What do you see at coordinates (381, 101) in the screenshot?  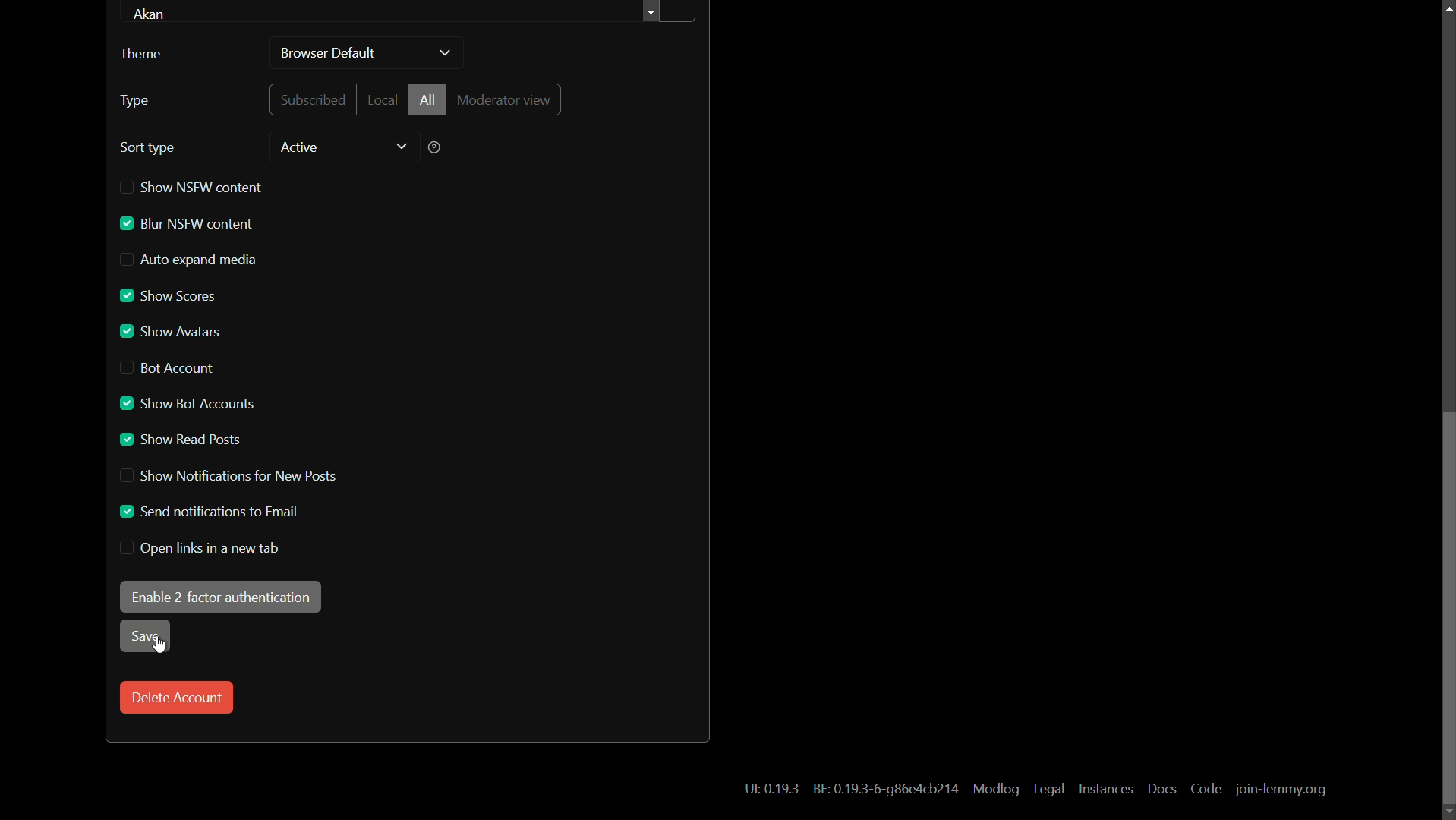 I see `local` at bounding box center [381, 101].